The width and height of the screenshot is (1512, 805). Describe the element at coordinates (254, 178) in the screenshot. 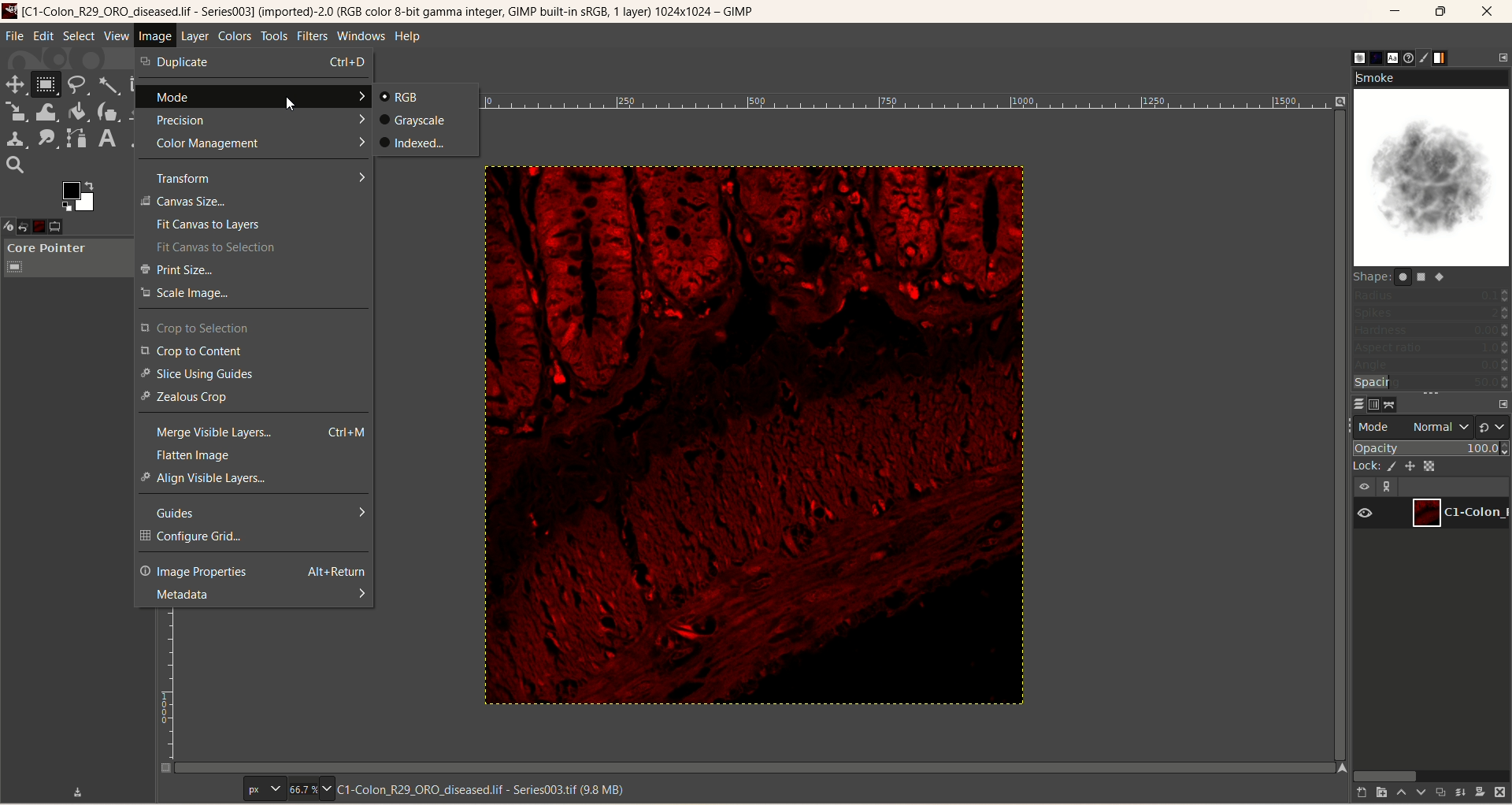

I see `transform` at that location.